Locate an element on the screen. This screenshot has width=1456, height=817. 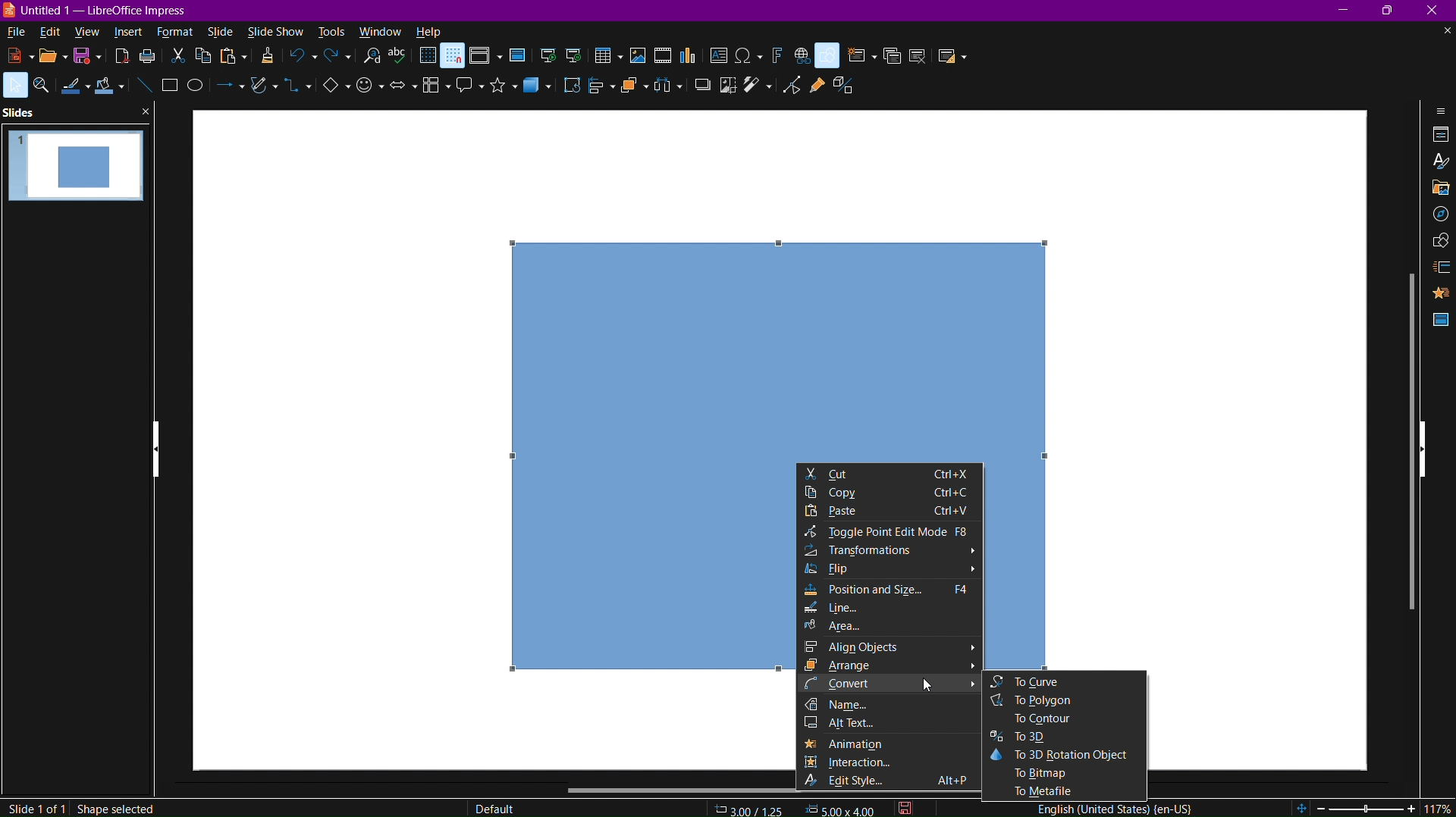
English is located at coordinates (1111, 809).